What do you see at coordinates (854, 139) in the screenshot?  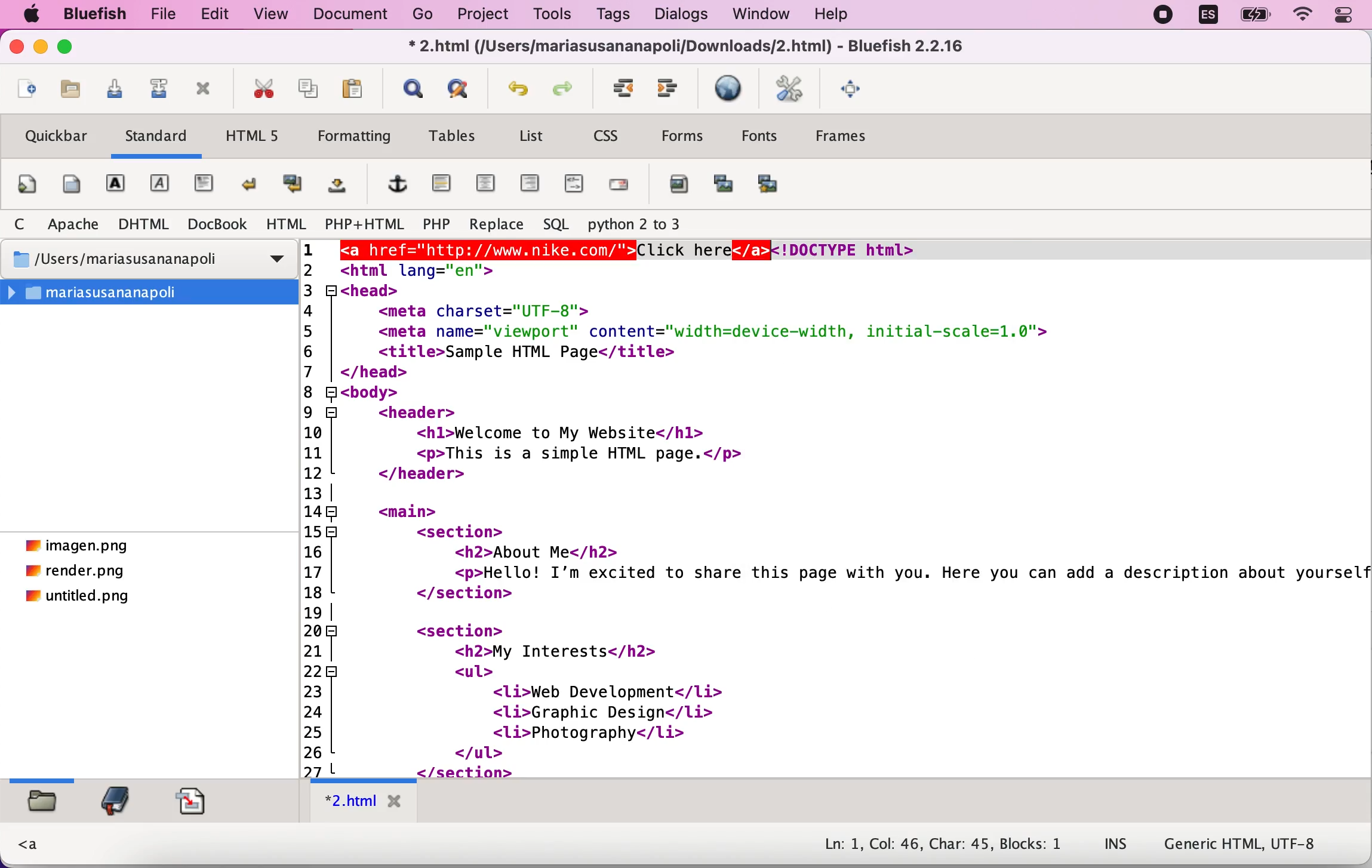 I see `frames` at bounding box center [854, 139].